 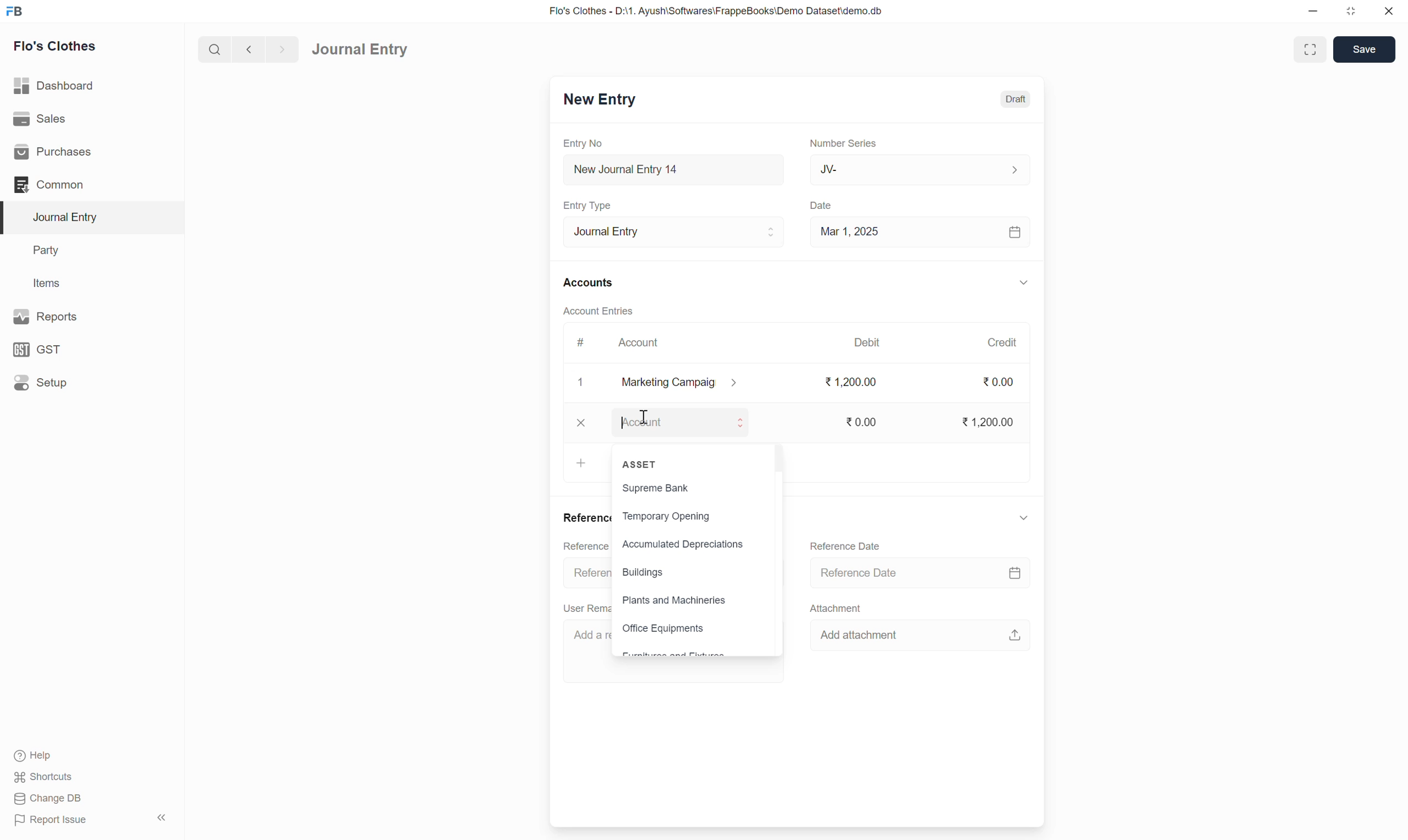 I want to click on Draft, so click(x=1017, y=98).